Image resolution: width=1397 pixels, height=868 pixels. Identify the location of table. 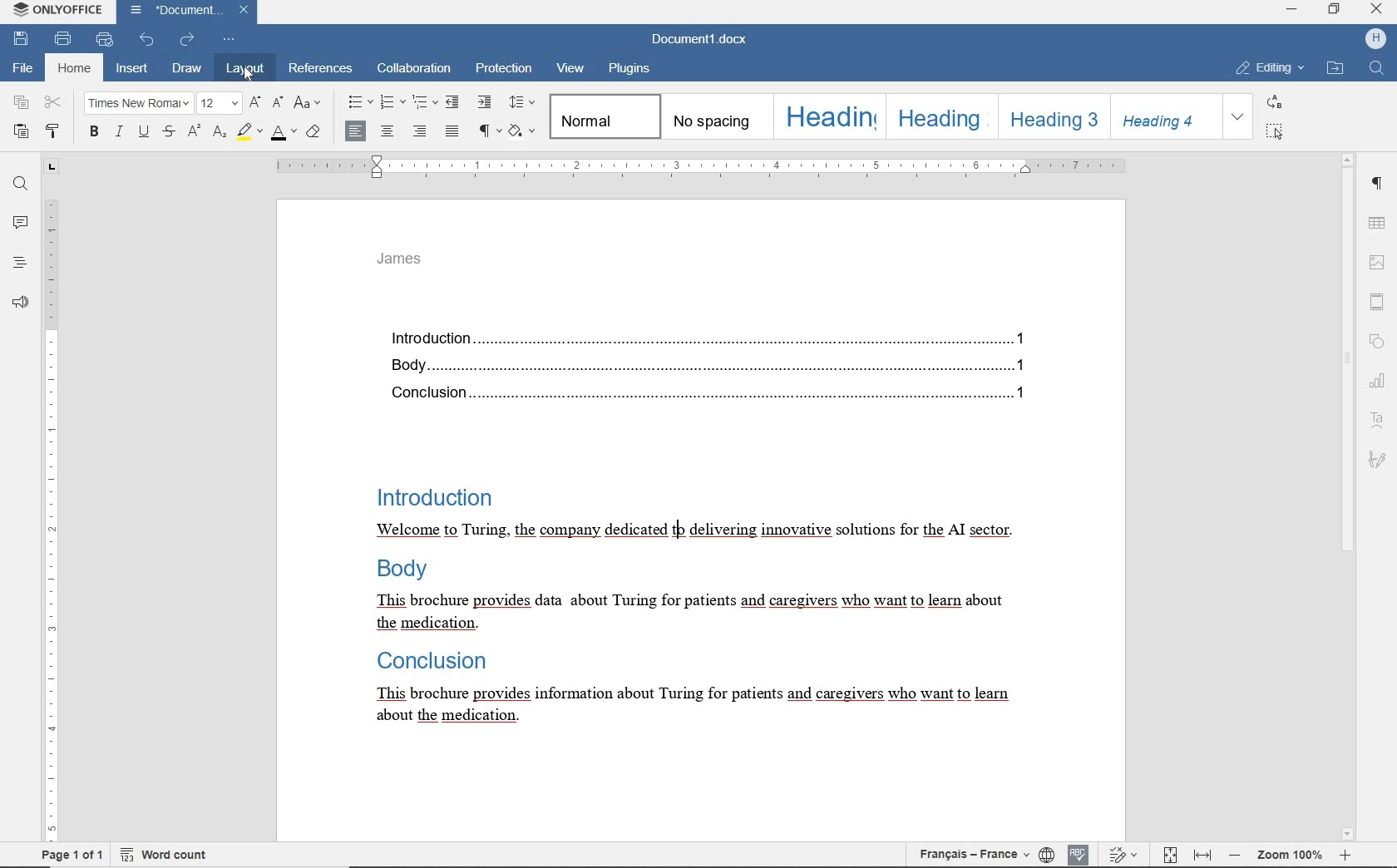
(1380, 224).